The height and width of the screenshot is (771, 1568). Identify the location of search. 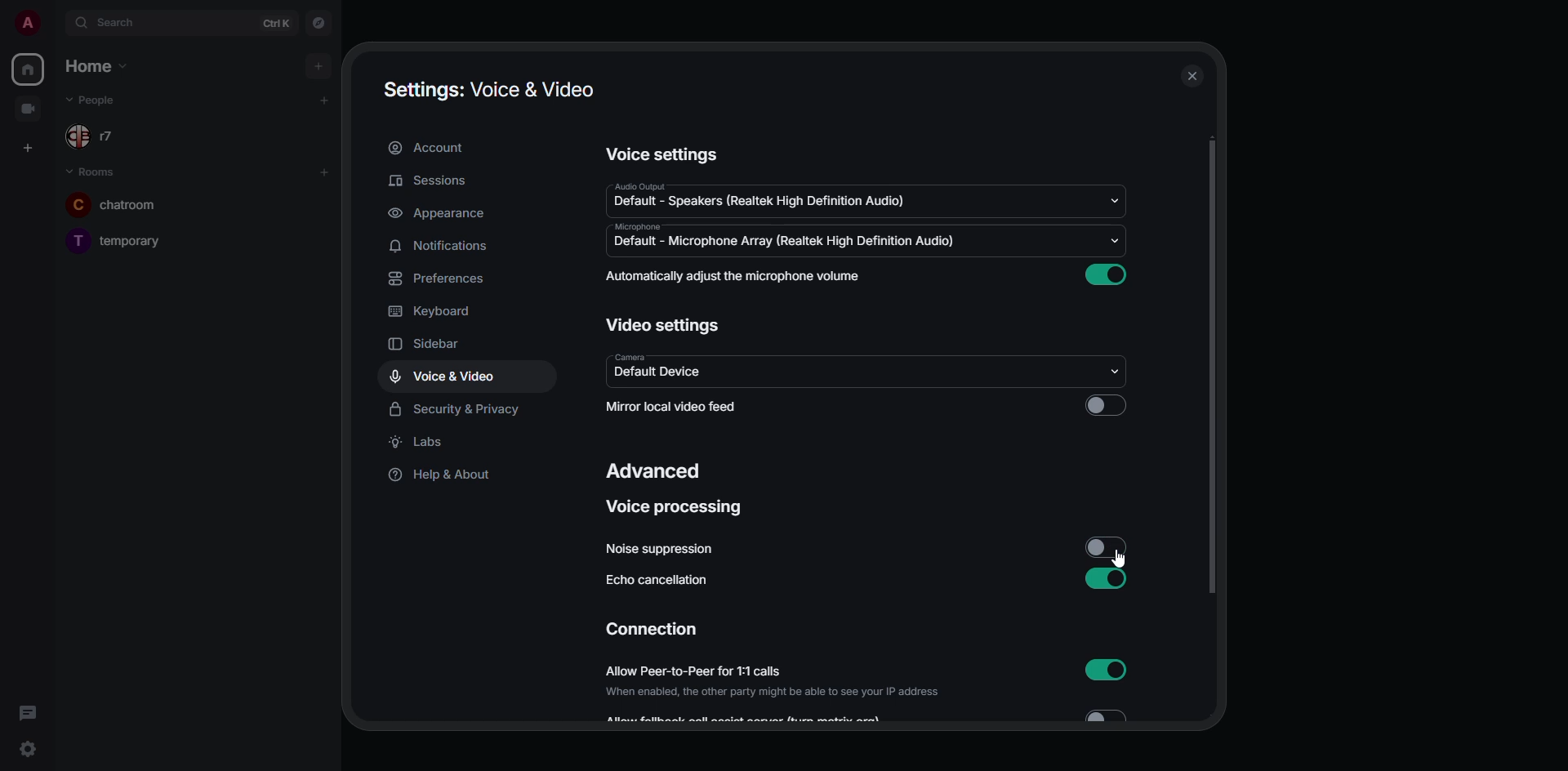
(120, 23).